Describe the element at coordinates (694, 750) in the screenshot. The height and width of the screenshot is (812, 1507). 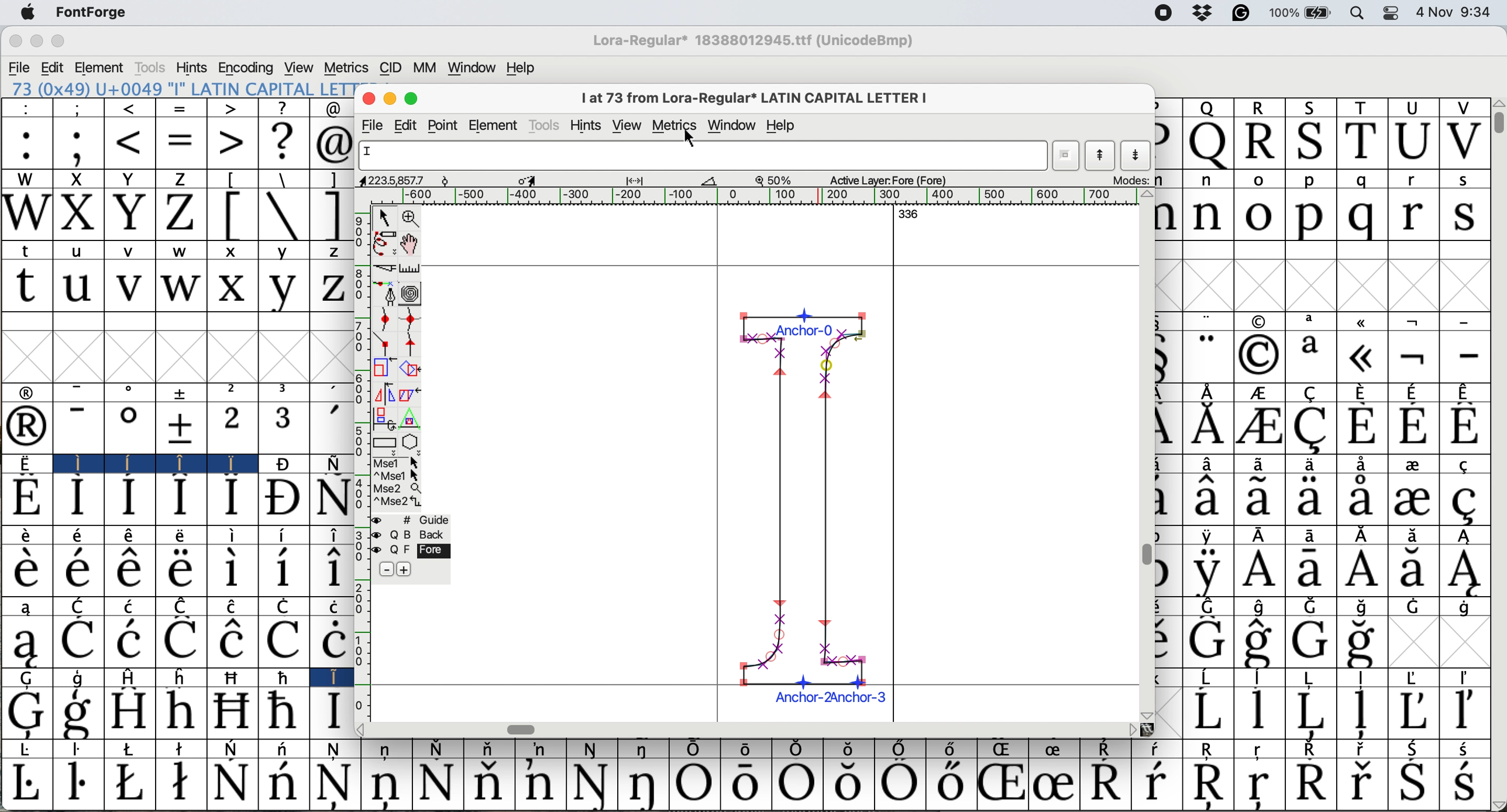
I see `Symbol` at that location.